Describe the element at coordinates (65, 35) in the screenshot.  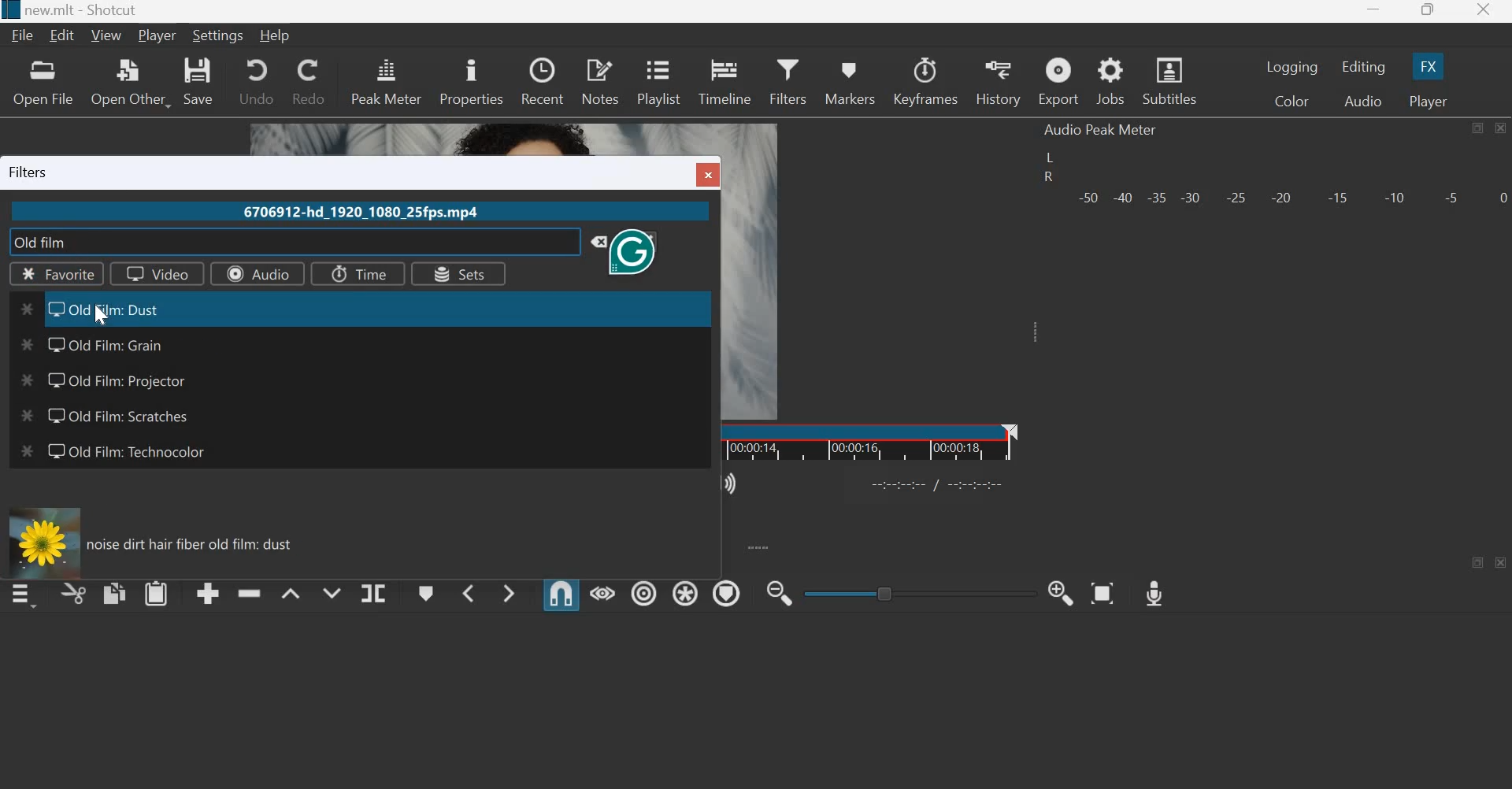
I see `Edit` at that location.